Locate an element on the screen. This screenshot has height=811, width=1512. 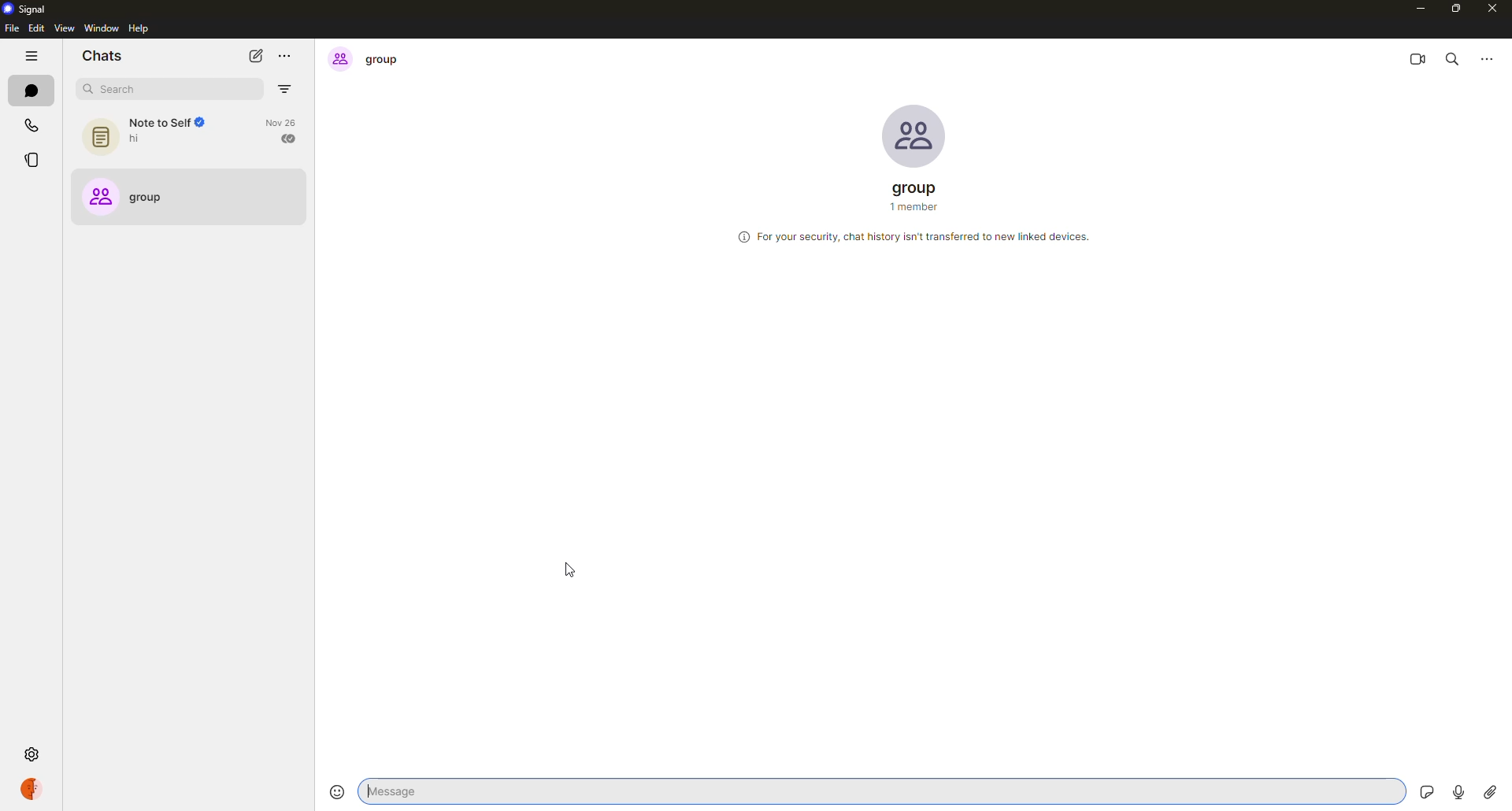
message is located at coordinates (484, 791).